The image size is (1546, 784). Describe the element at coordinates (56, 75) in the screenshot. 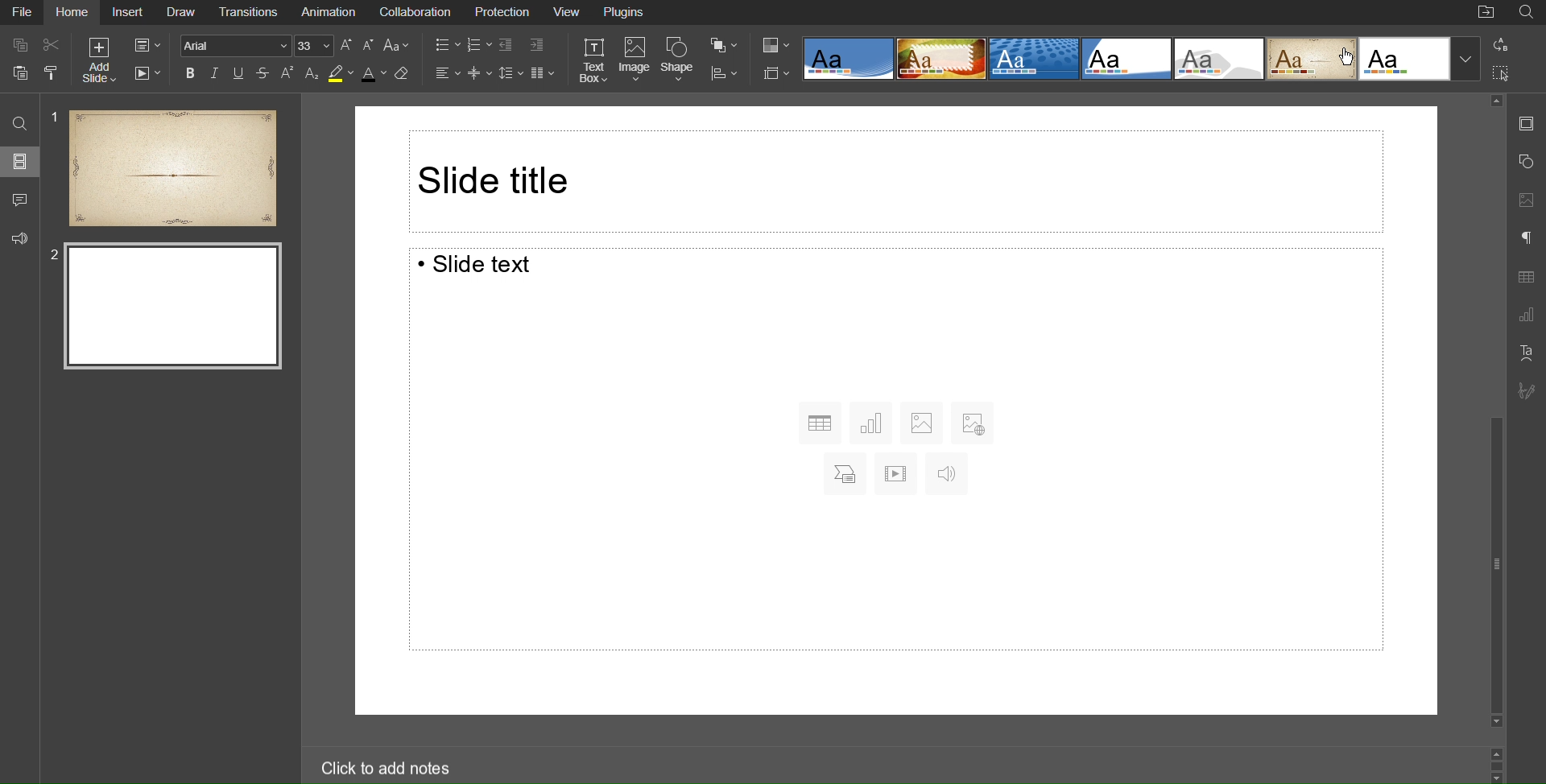

I see `copy formatting` at that location.